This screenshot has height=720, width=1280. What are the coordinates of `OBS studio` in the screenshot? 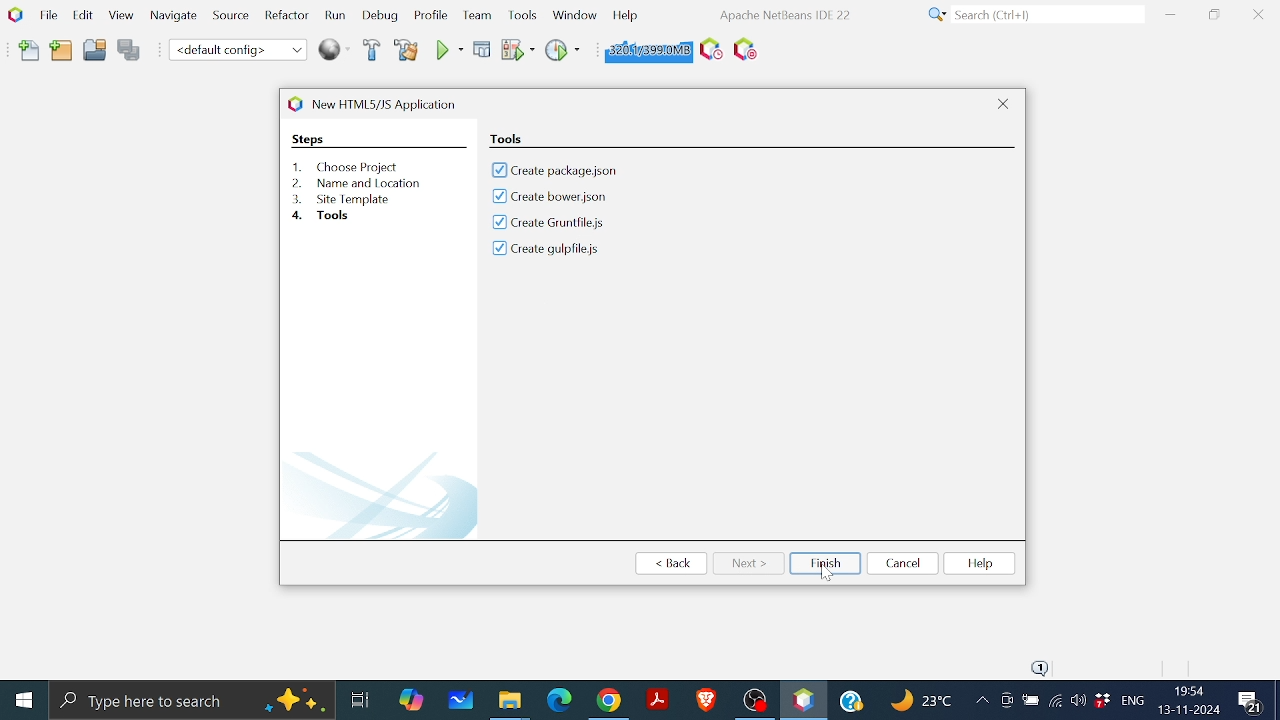 It's located at (754, 699).